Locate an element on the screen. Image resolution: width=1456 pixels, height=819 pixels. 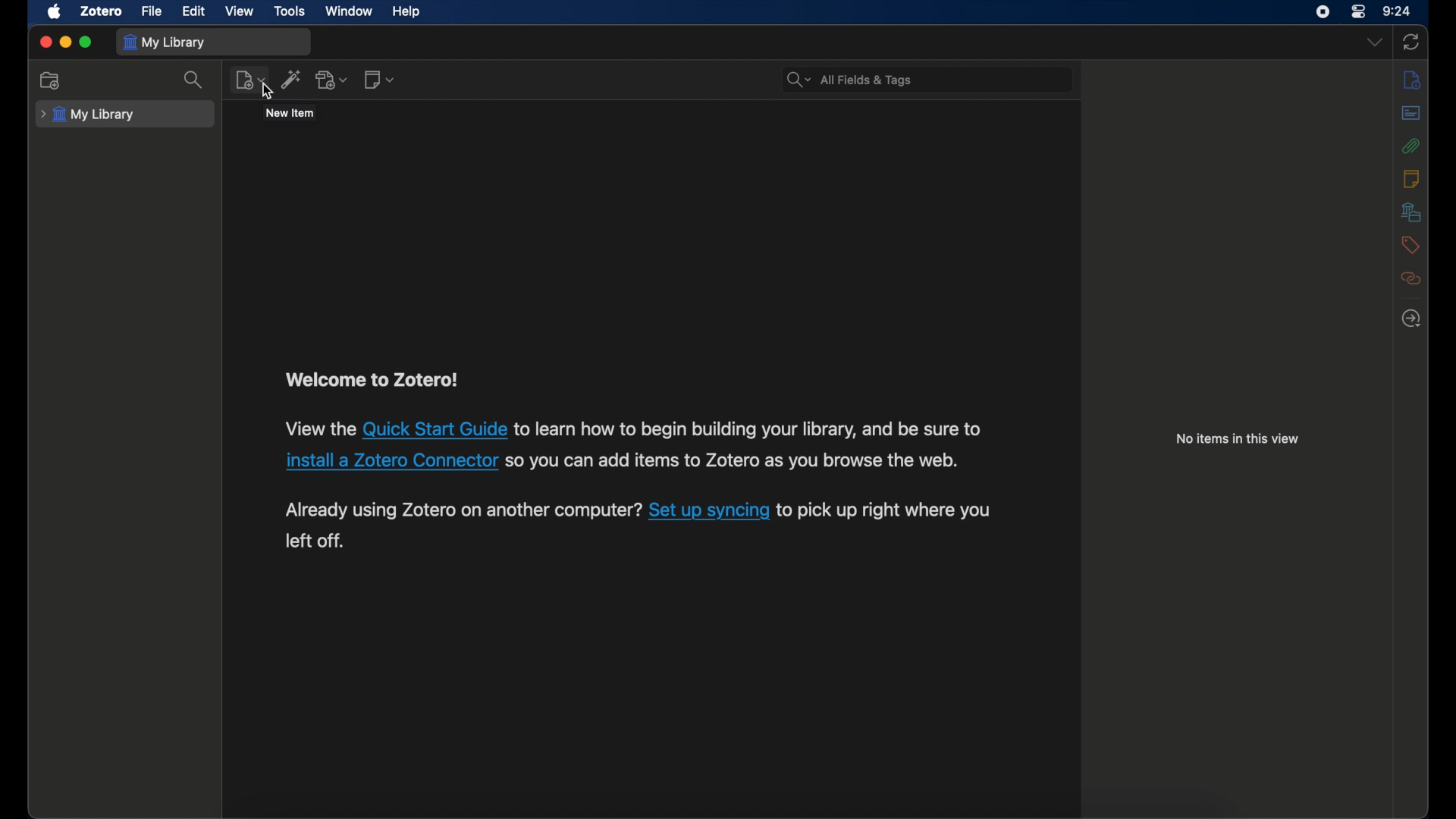
my library is located at coordinates (165, 43).